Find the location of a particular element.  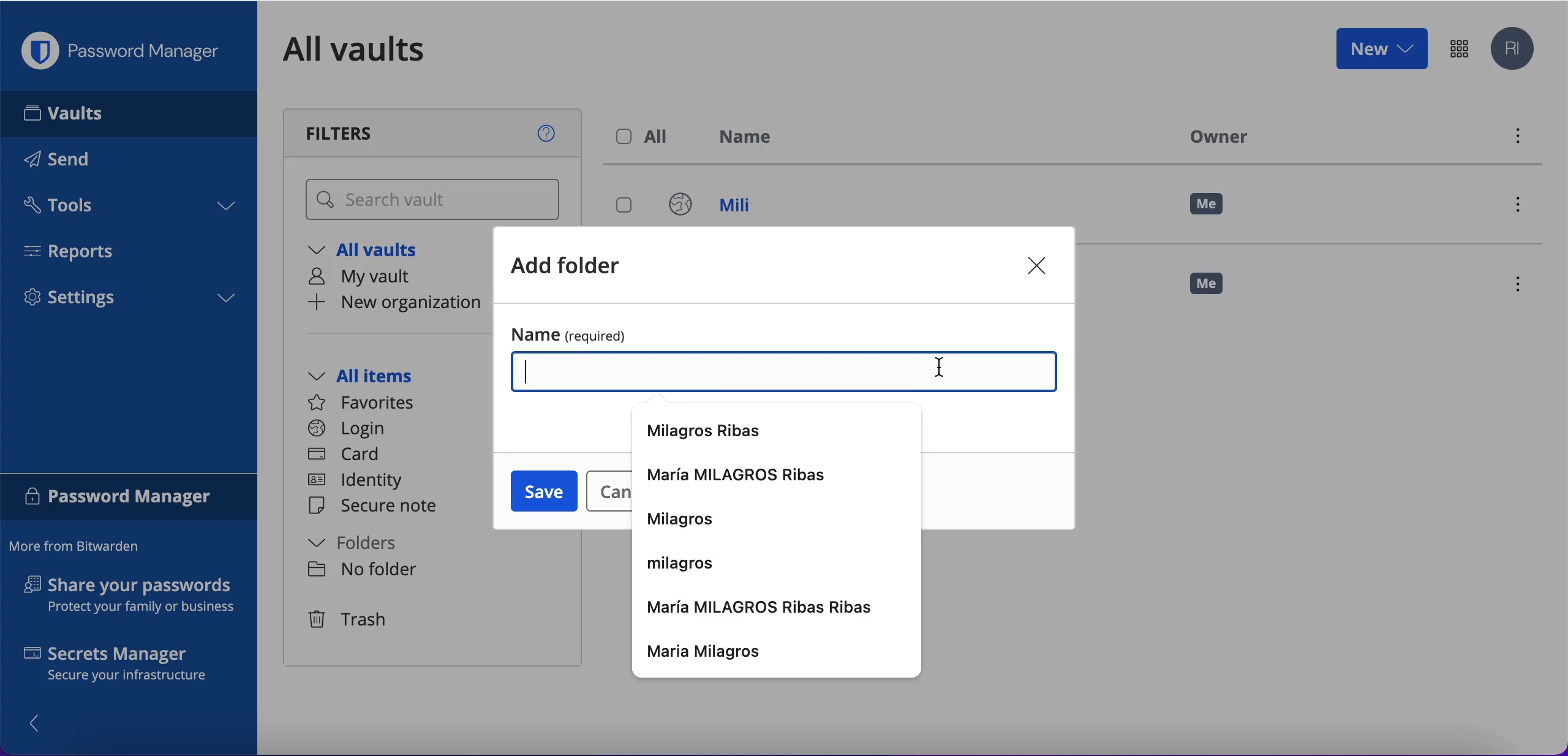

mili is located at coordinates (722, 208).